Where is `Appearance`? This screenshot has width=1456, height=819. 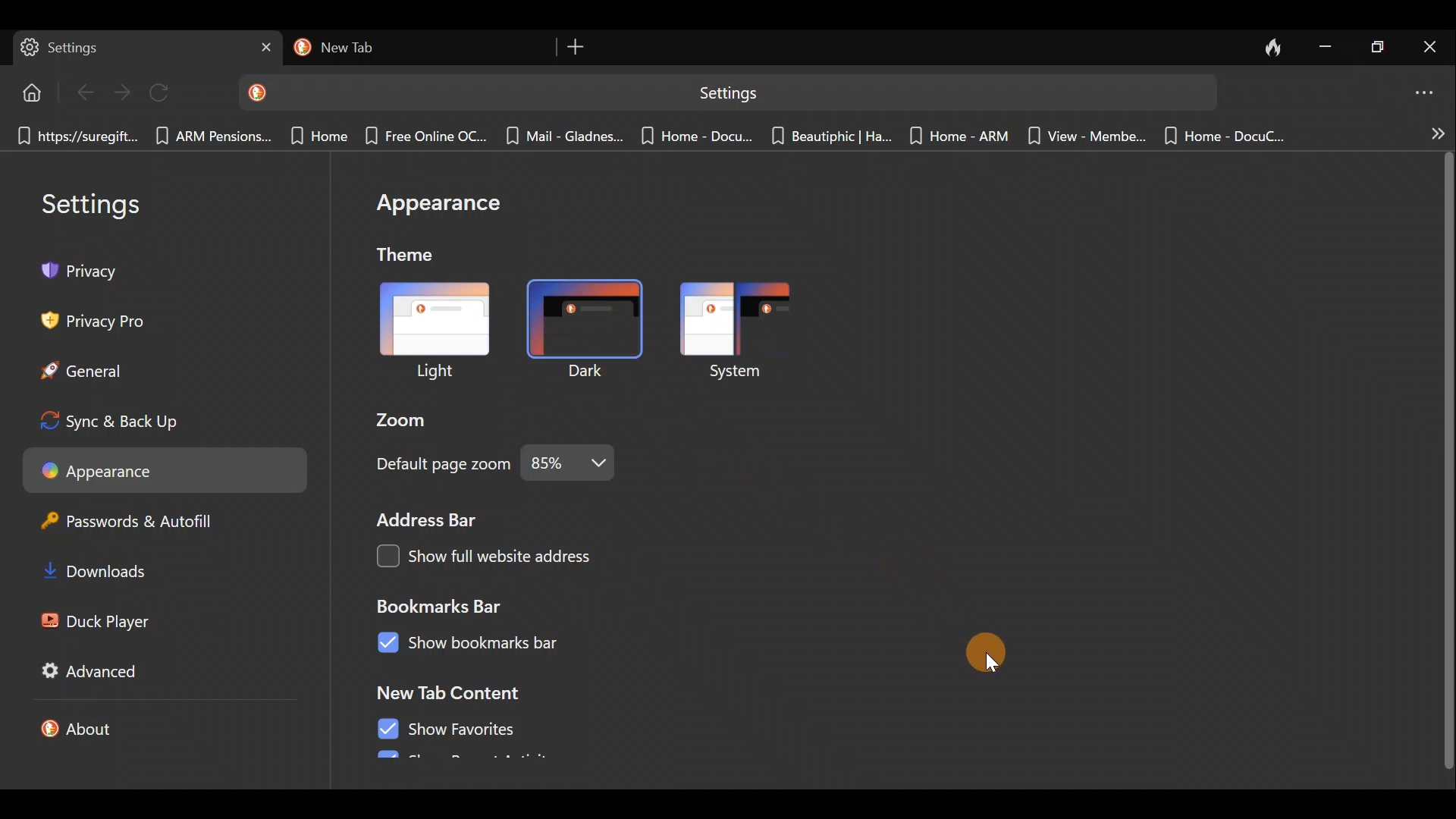
Appearance is located at coordinates (442, 209).